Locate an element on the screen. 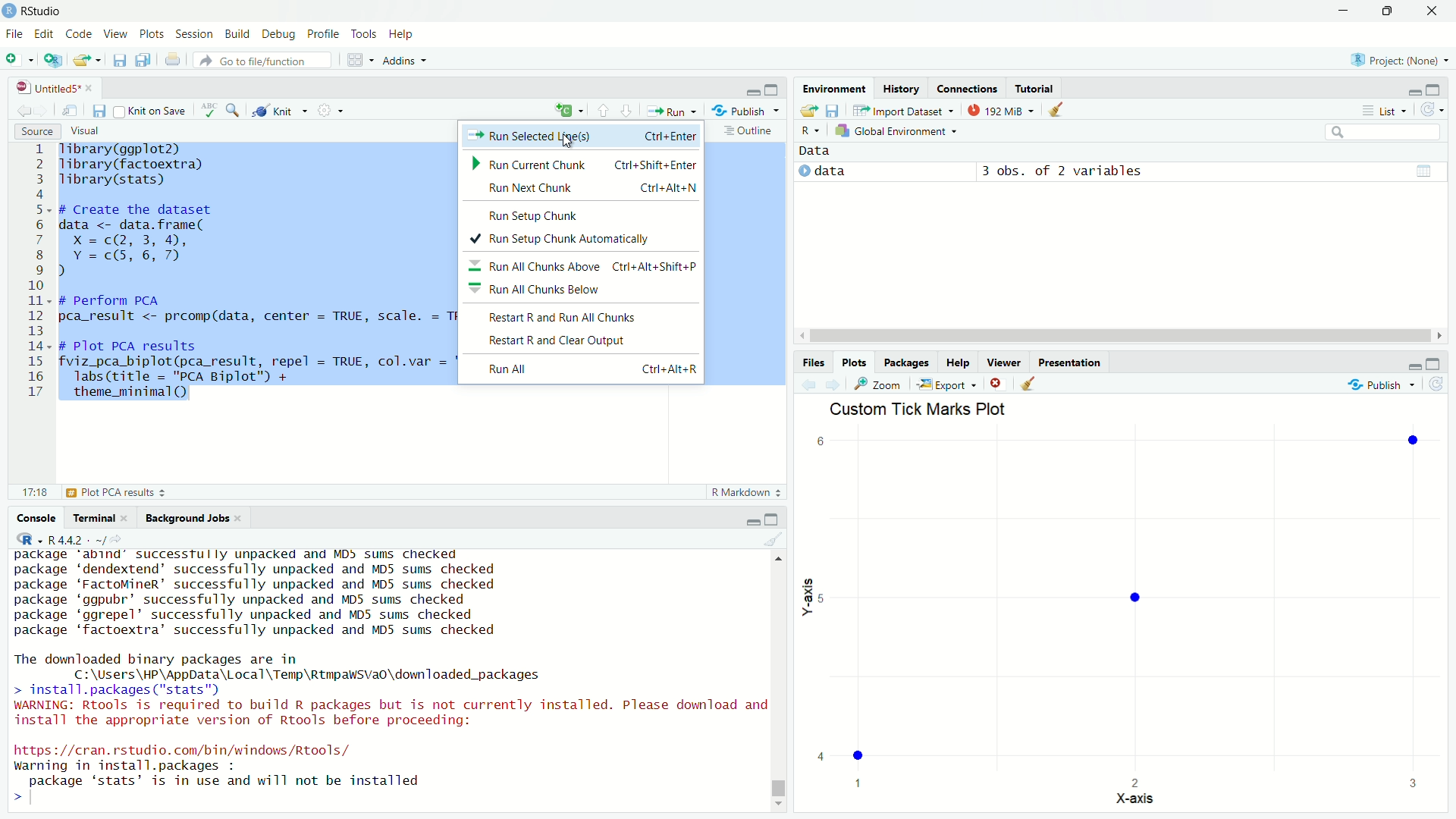 The image size is (1456, 819). run current chunk is located at coordinates (583, 165).